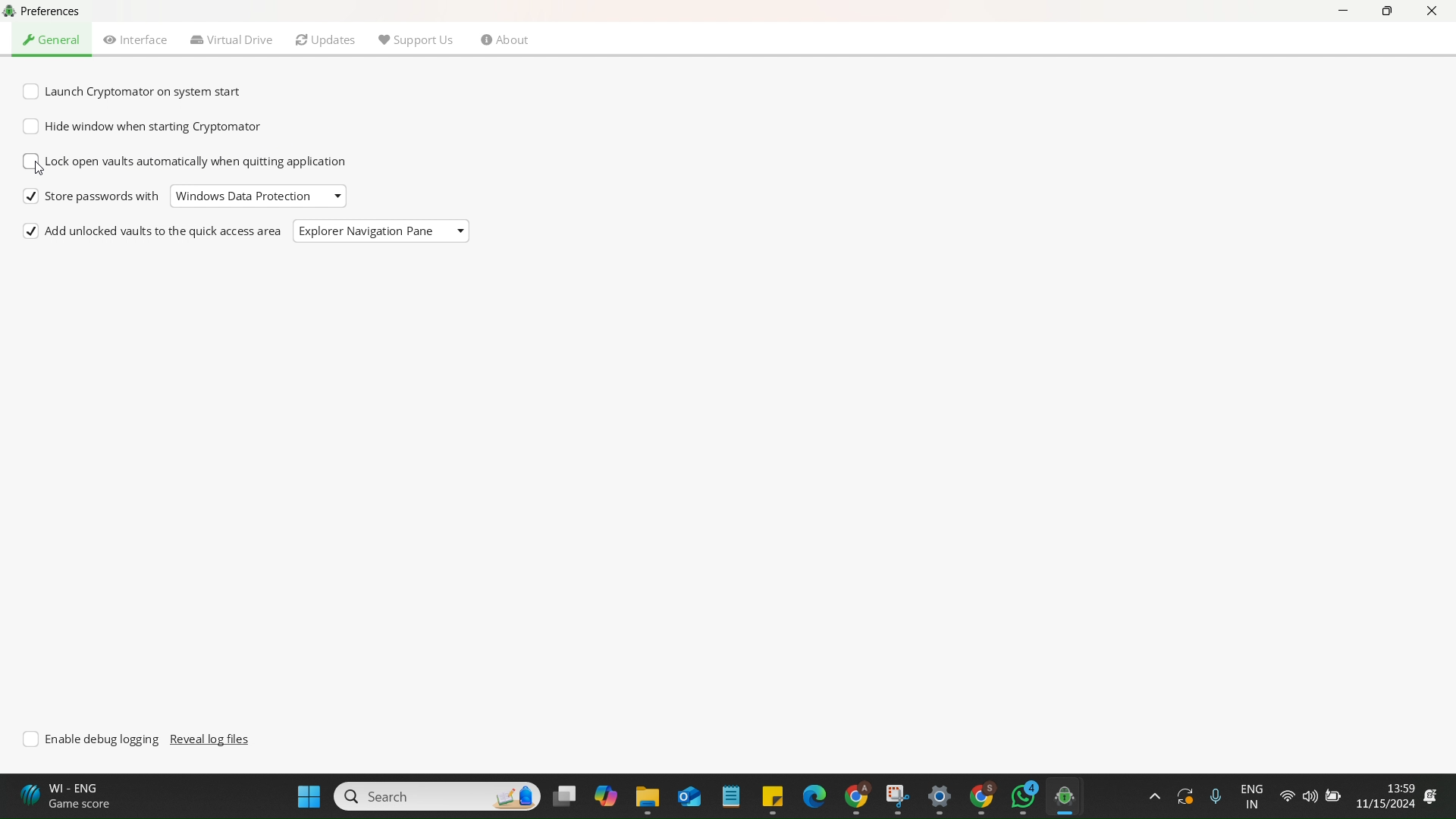 The width and height of the screenshot is (1456, 819). I want to click on Date and Time, so click(1396, 795).